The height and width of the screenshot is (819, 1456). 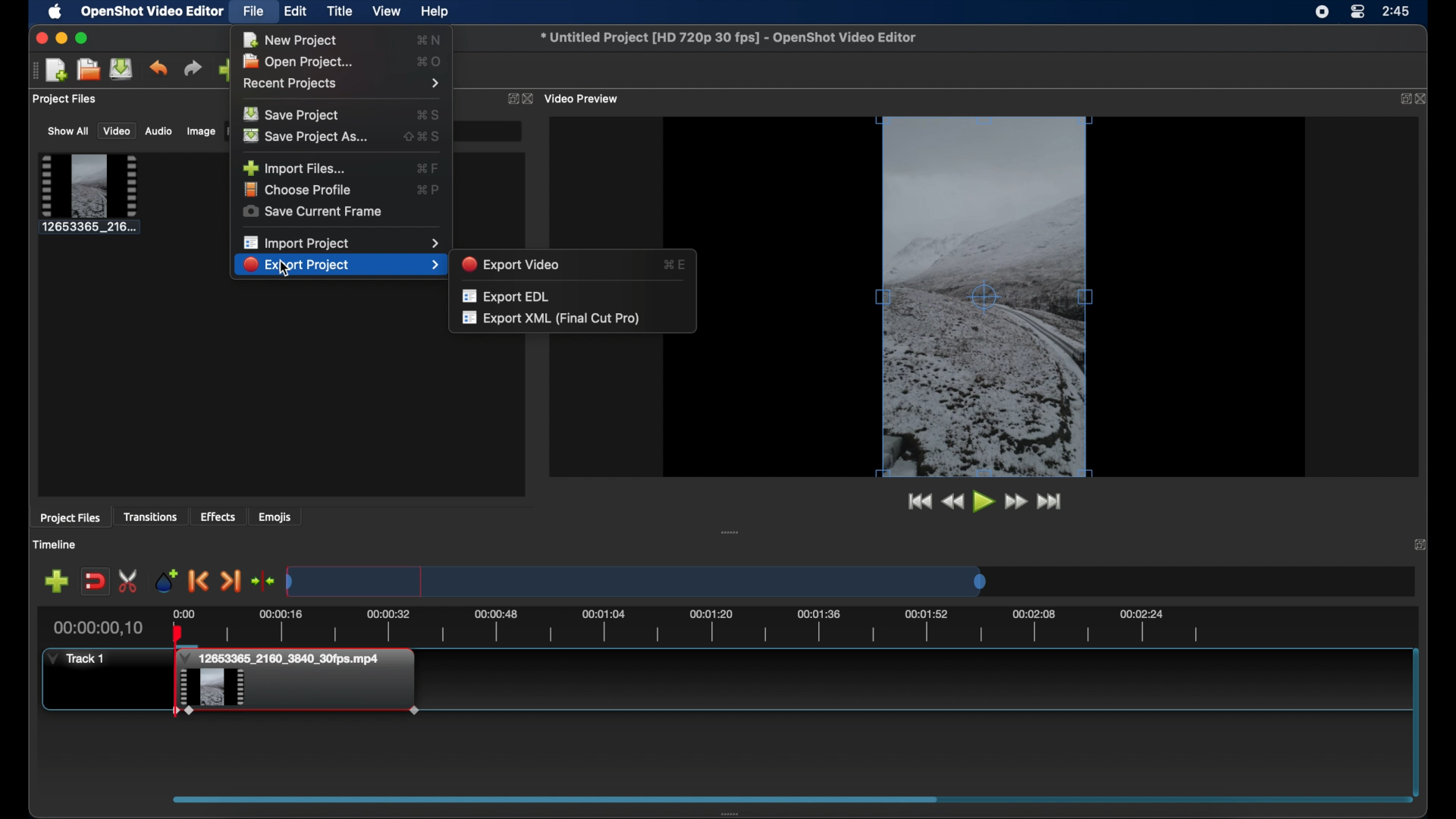 I want to click on new project, so click(x=58, y=70).